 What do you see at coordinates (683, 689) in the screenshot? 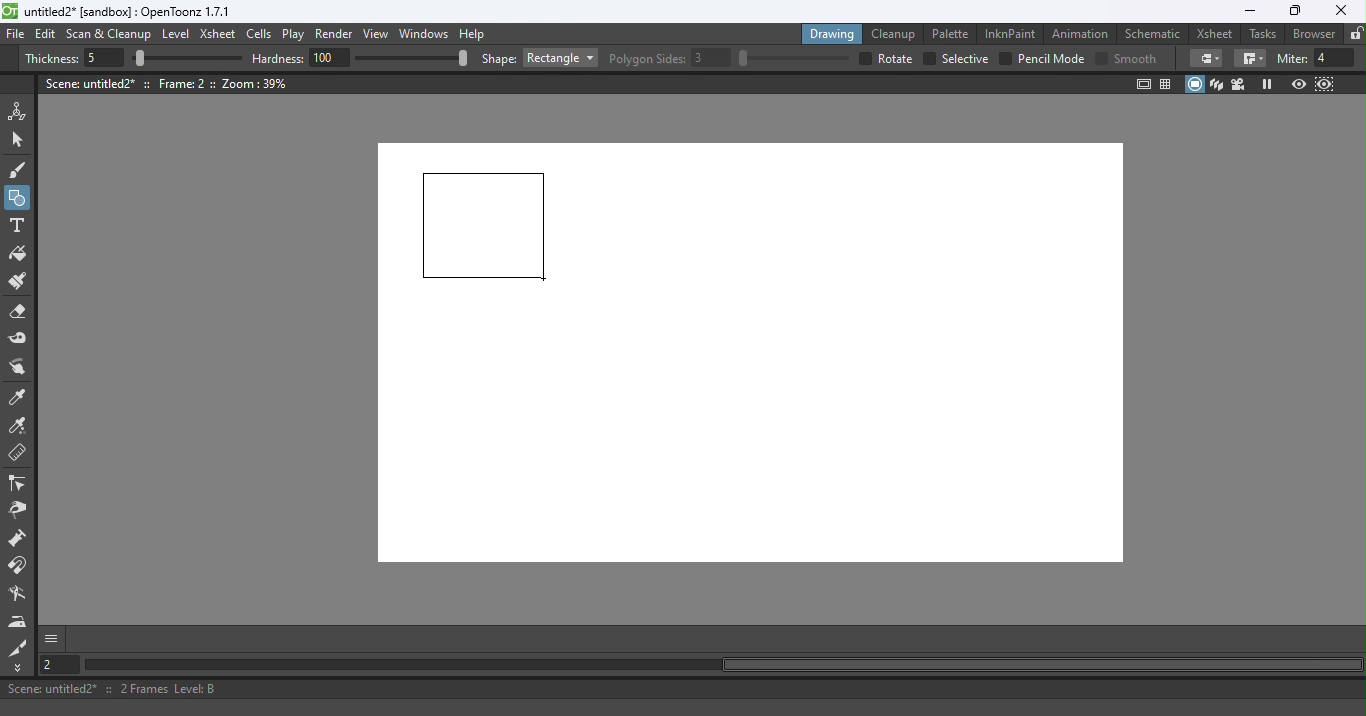
I see `Status bar` at bounding box center [683, 689].